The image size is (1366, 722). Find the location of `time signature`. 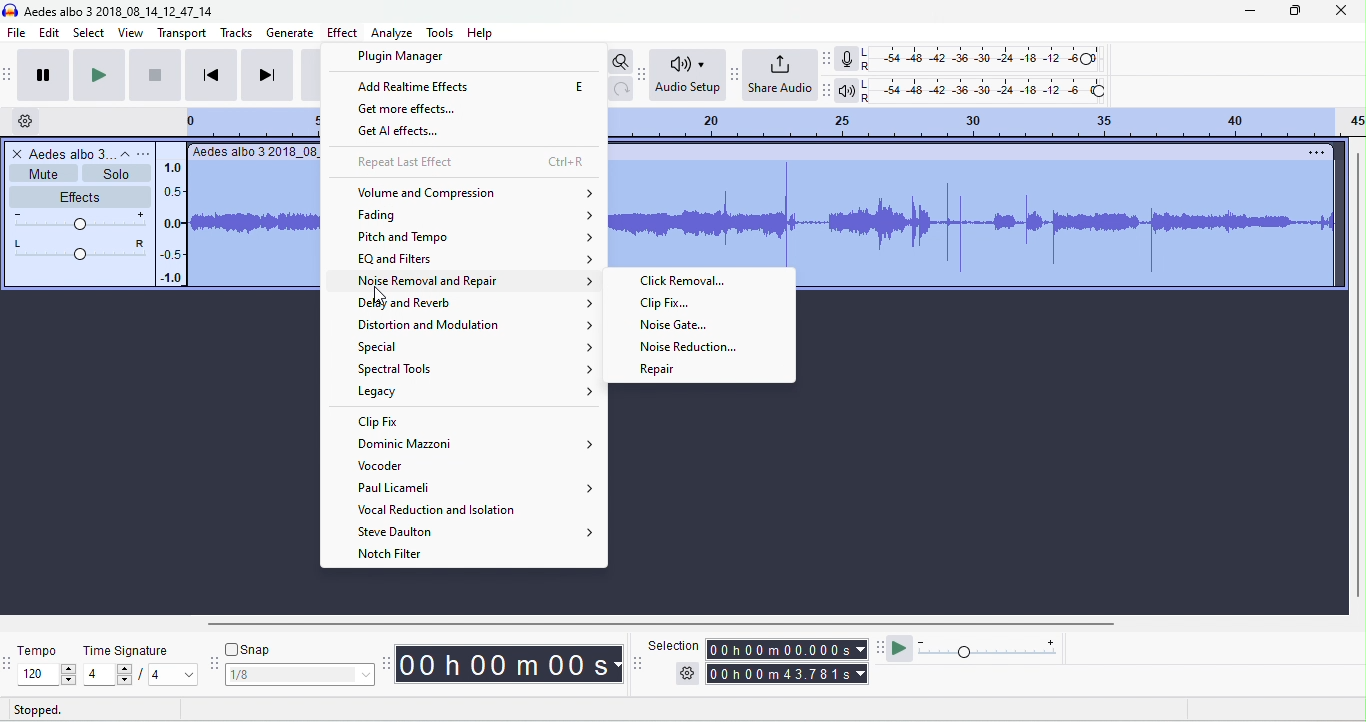

time signature is located at coordinates (127, 650).